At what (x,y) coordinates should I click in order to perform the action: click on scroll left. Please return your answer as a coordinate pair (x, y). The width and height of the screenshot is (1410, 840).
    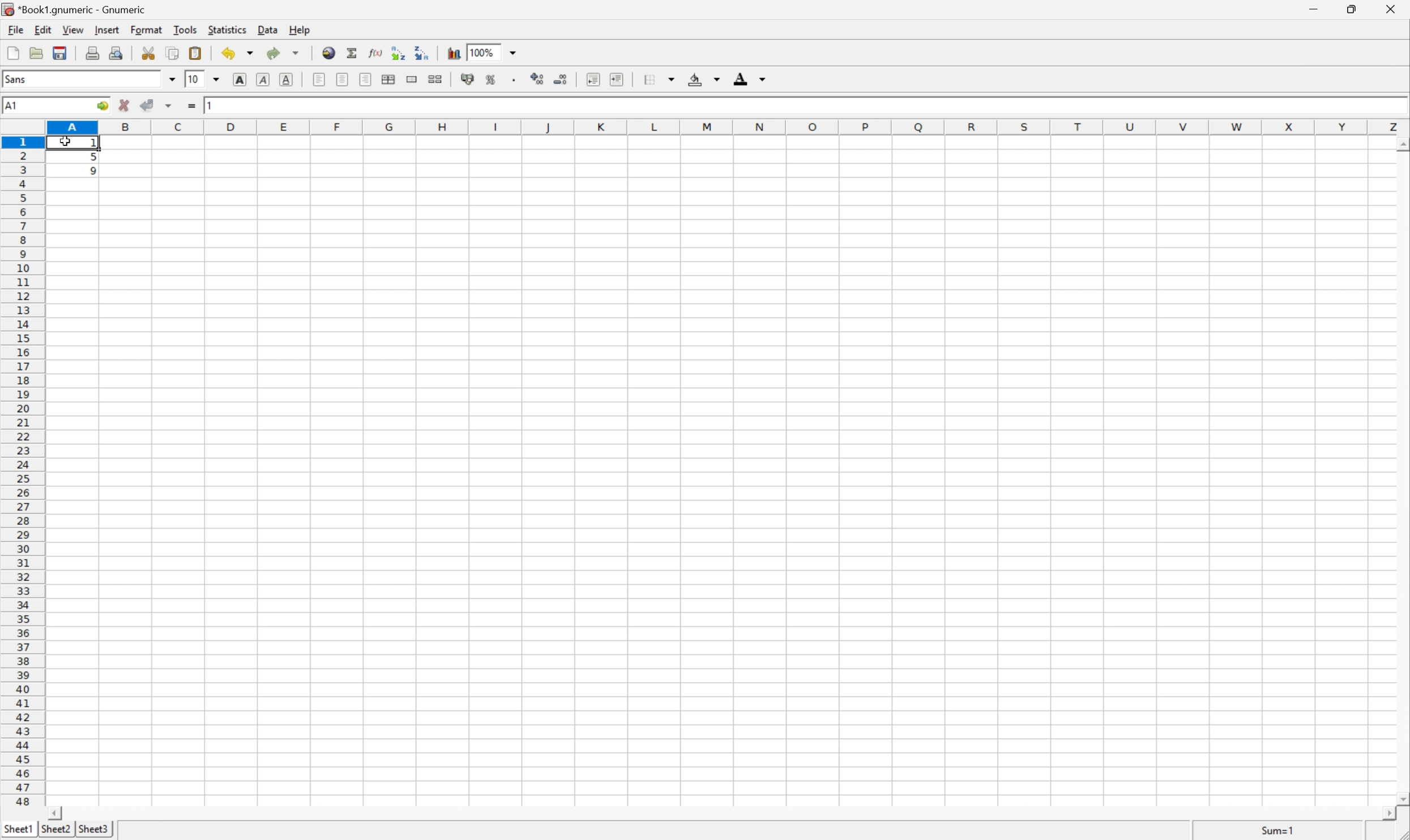
    Looking at the image, I should click on (54, 814).